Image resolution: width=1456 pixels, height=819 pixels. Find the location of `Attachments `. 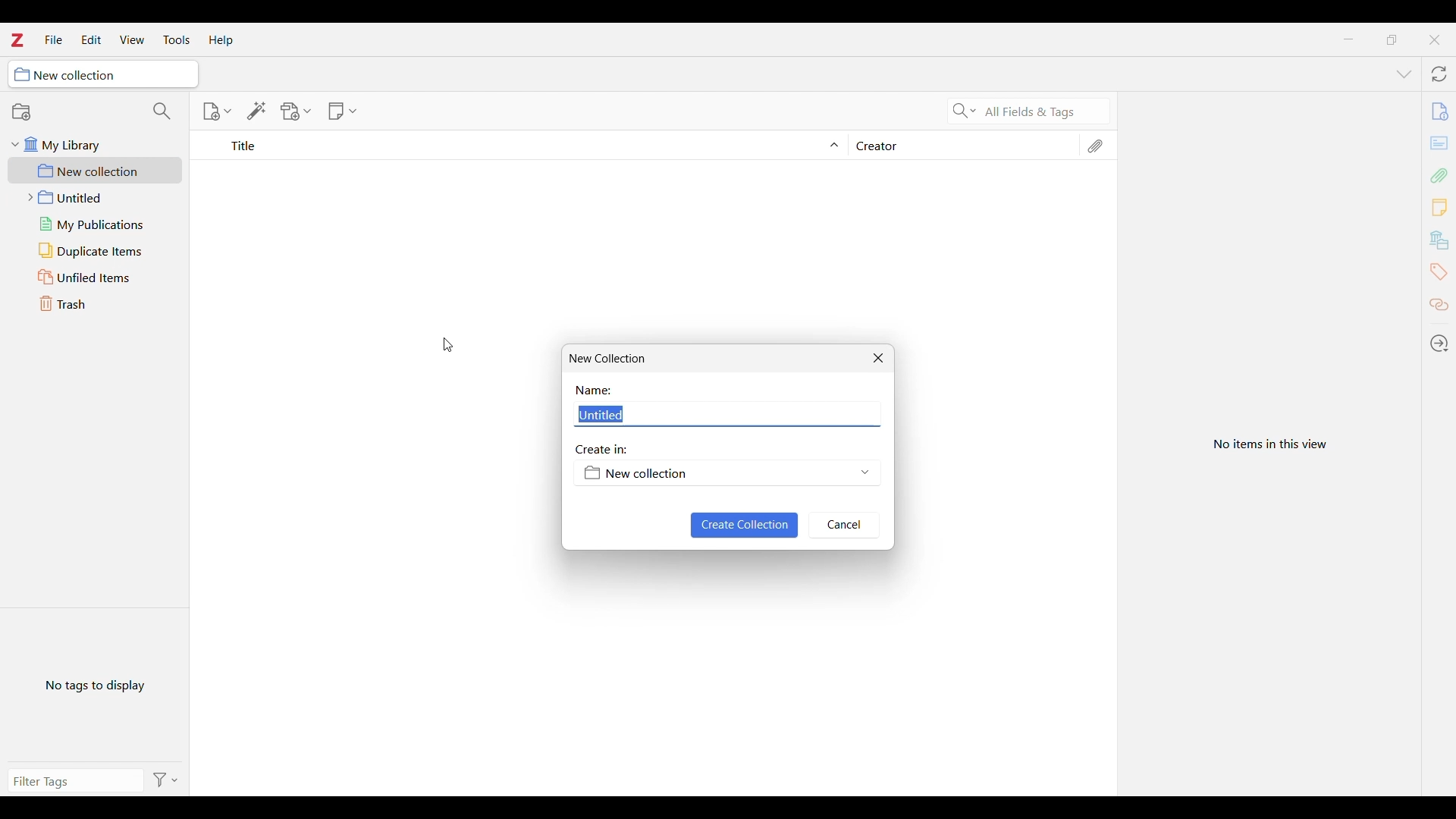

Attachments  is located at coordinates (1094, 146).